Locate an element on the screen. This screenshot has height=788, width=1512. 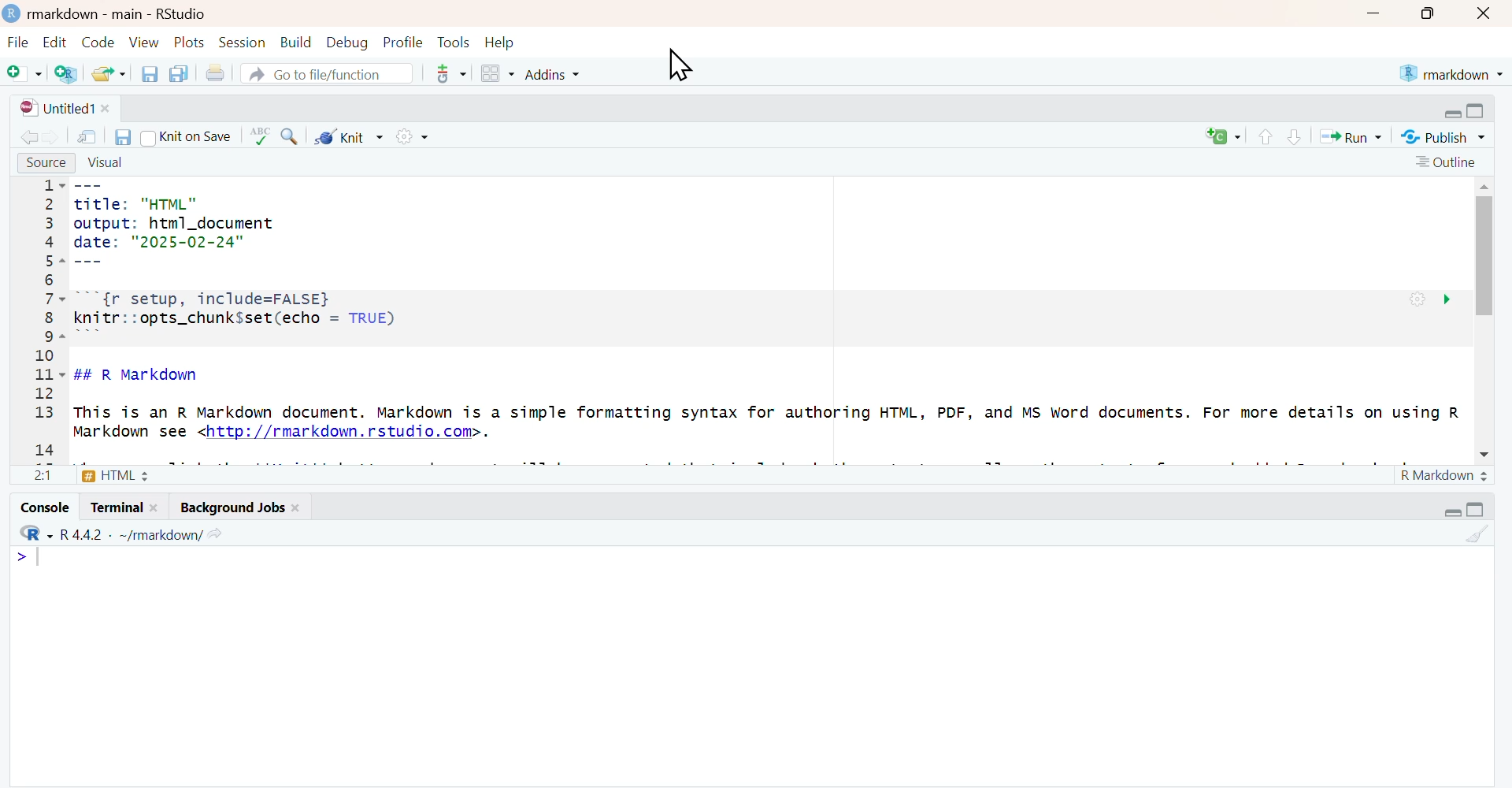
Console is located at coordinates (45, 506).